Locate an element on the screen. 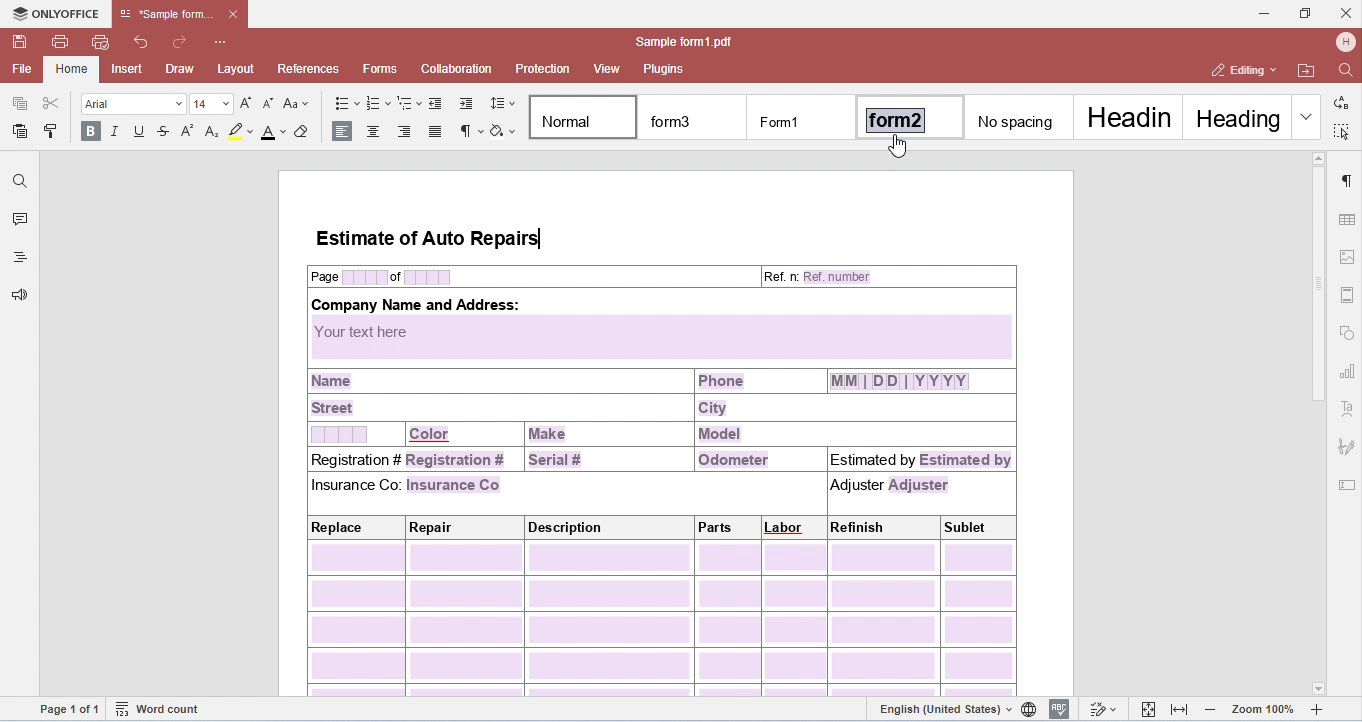 The width and height of the screenshot is (1362, 722). increase indent is located at coordinates (466, 104).